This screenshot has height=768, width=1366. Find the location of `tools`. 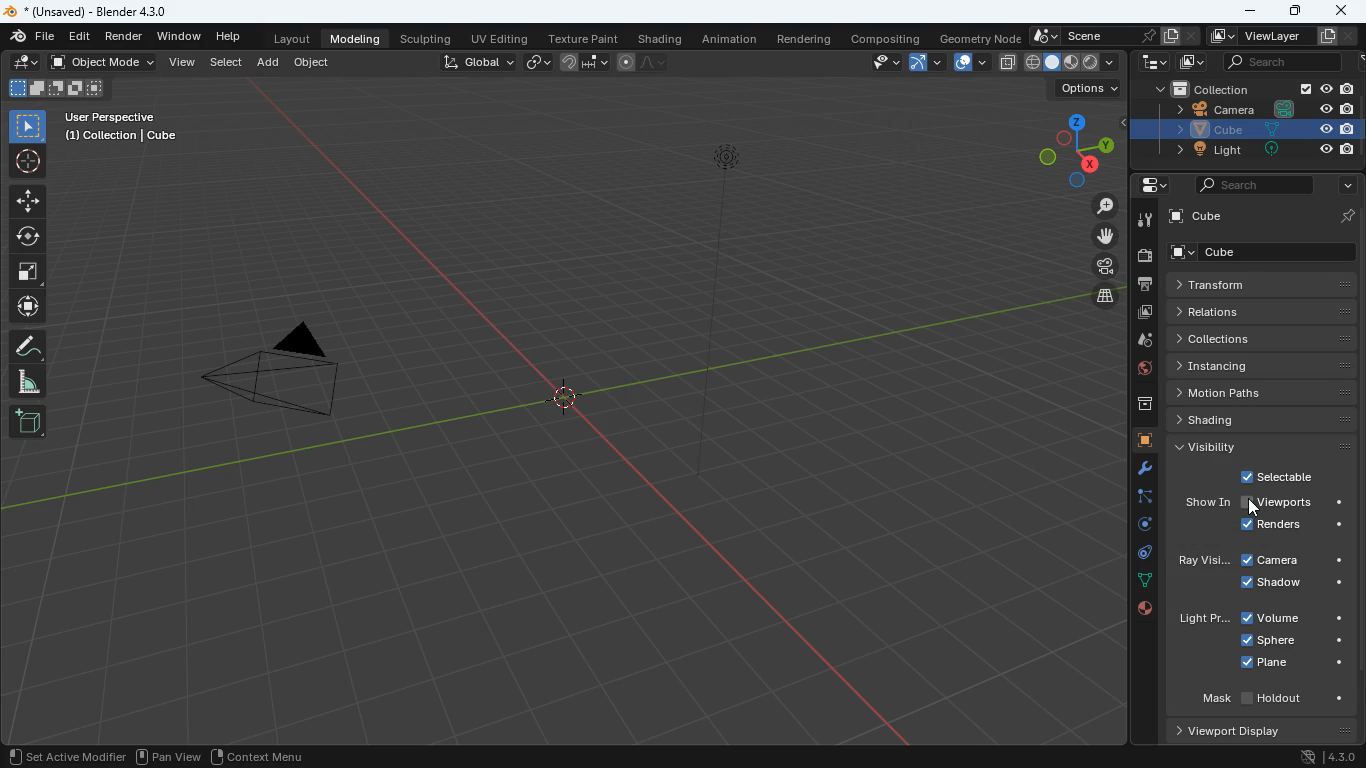

tools is located at coordinates (1144, 219).